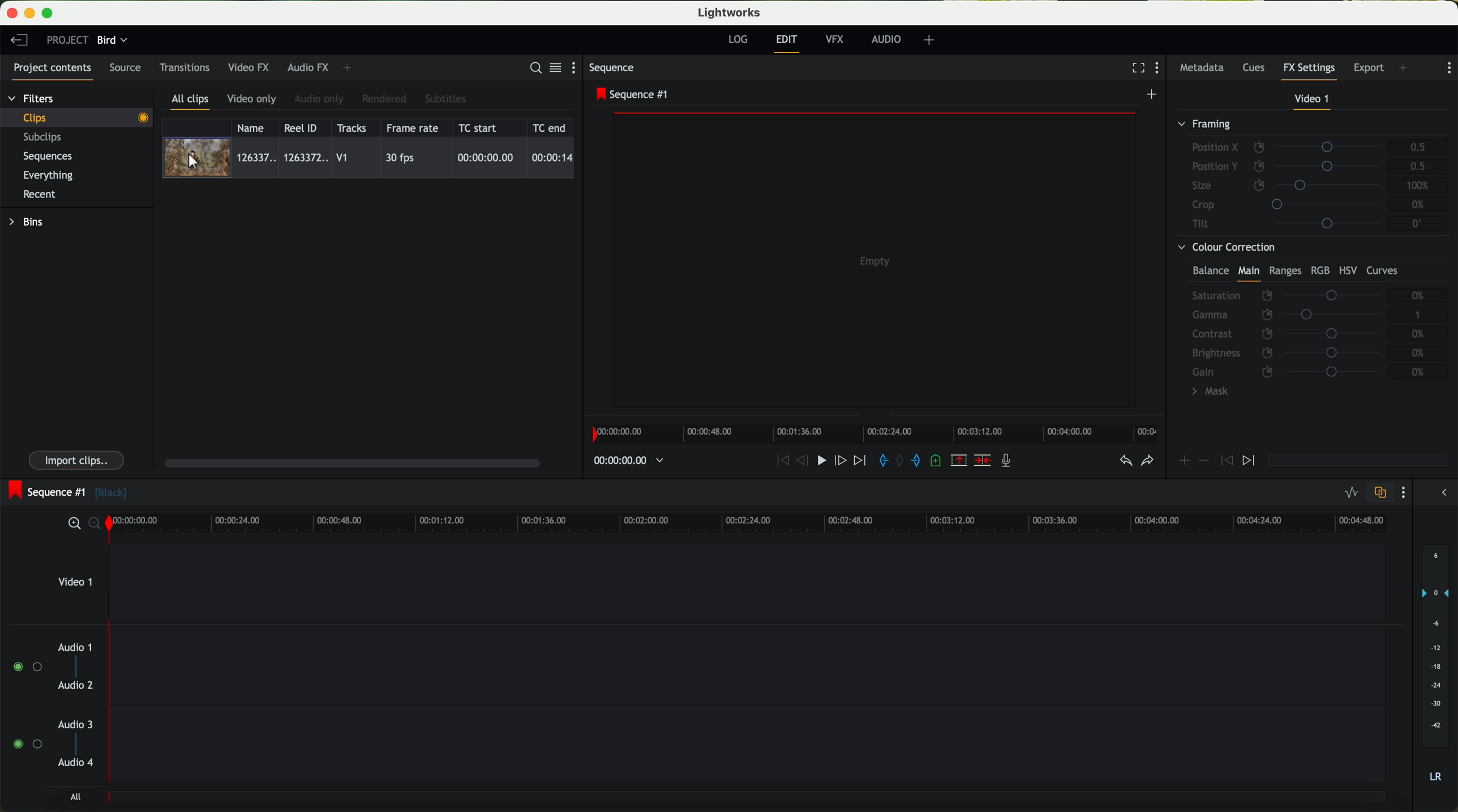 This screenshot has height=812, width=1458. Describe the element at coordinates (821, 459) in the screenshot. I see `play` at that location.